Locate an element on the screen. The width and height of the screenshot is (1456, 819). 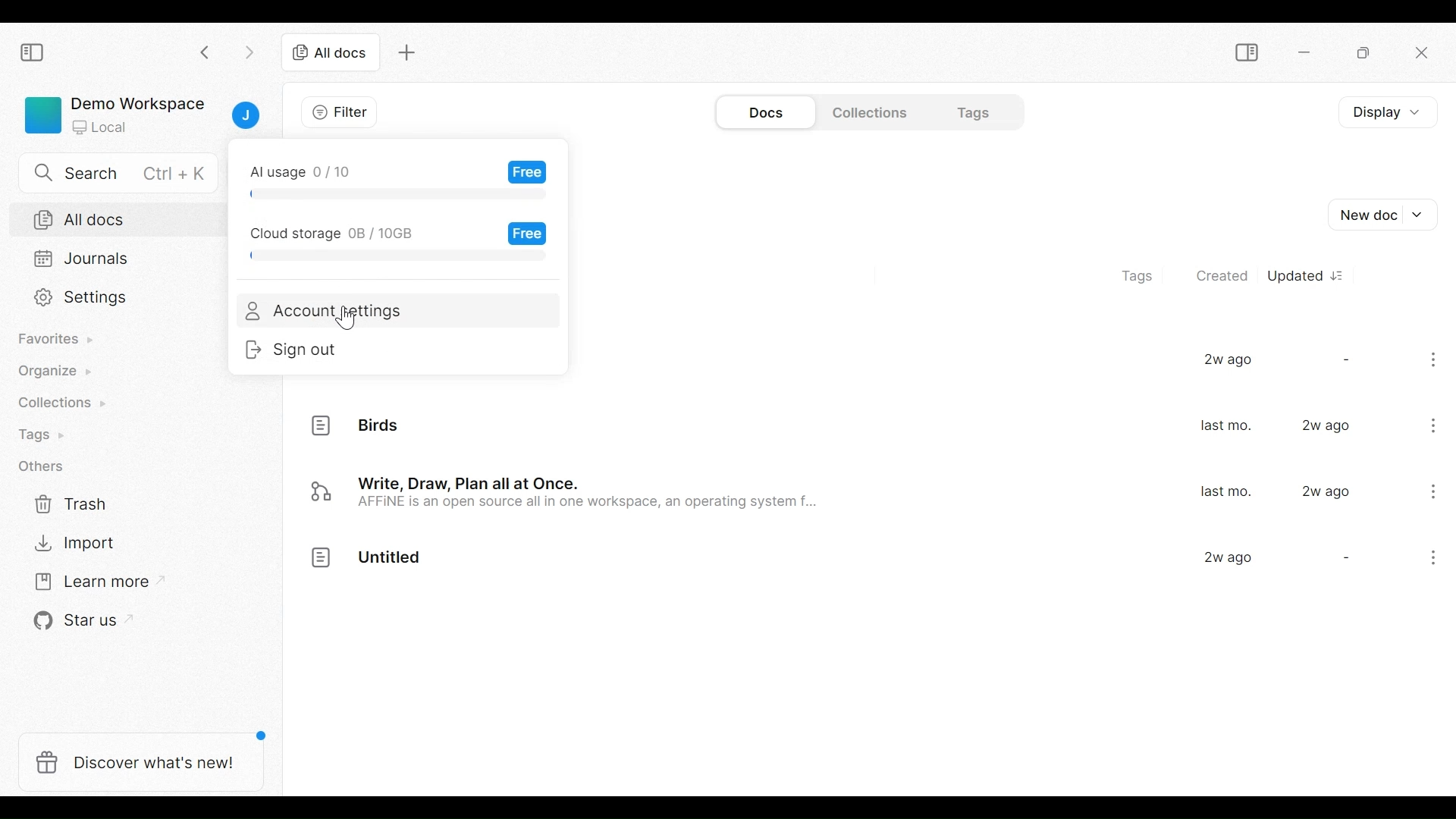
AFFINE is an open source all in one workspace, an operating system f... is located at coordinates (595, 506).